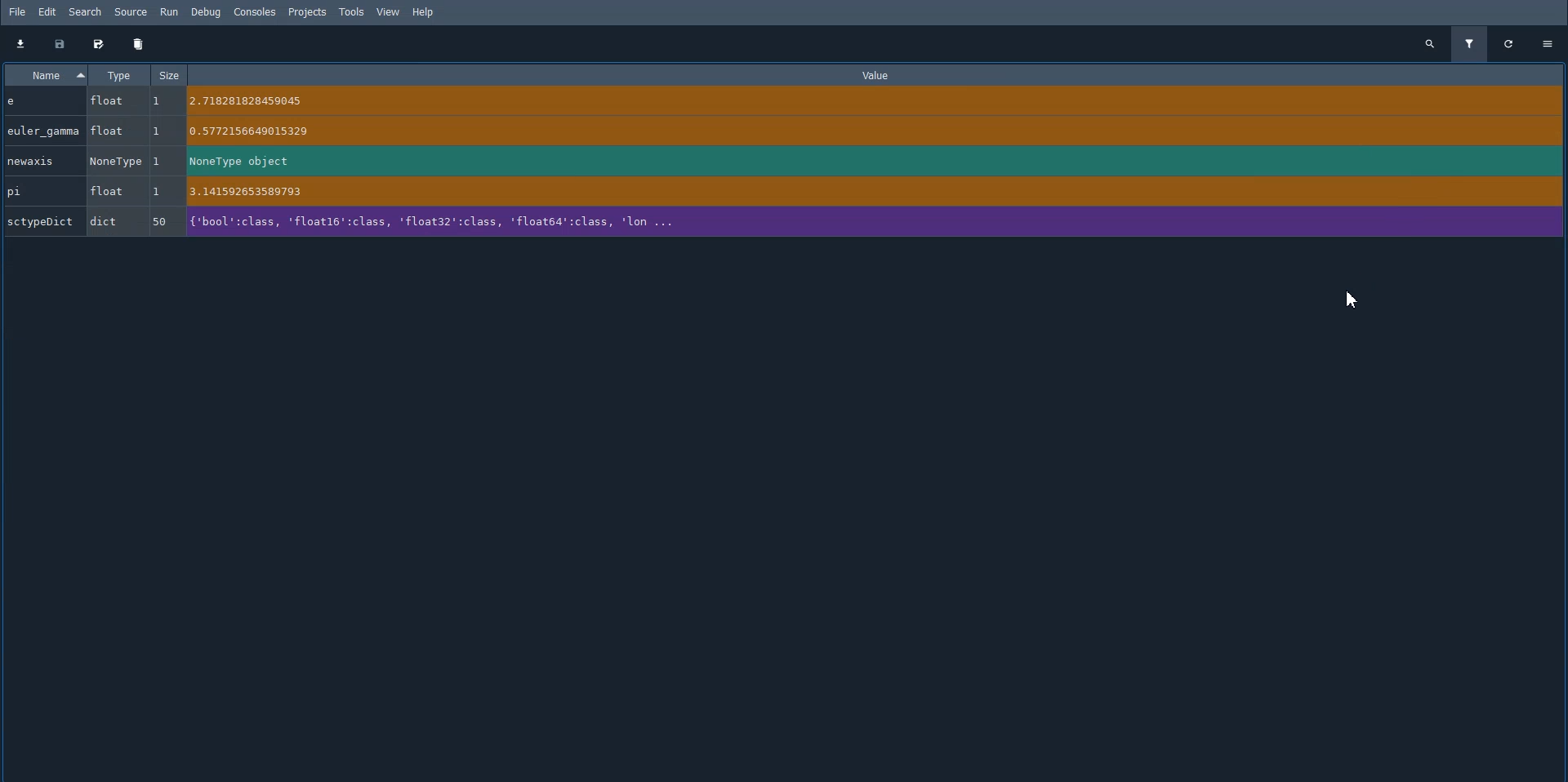  Describe the element at coordinates (46, 130) in the screenshot. I see `euler_gama` at that location.